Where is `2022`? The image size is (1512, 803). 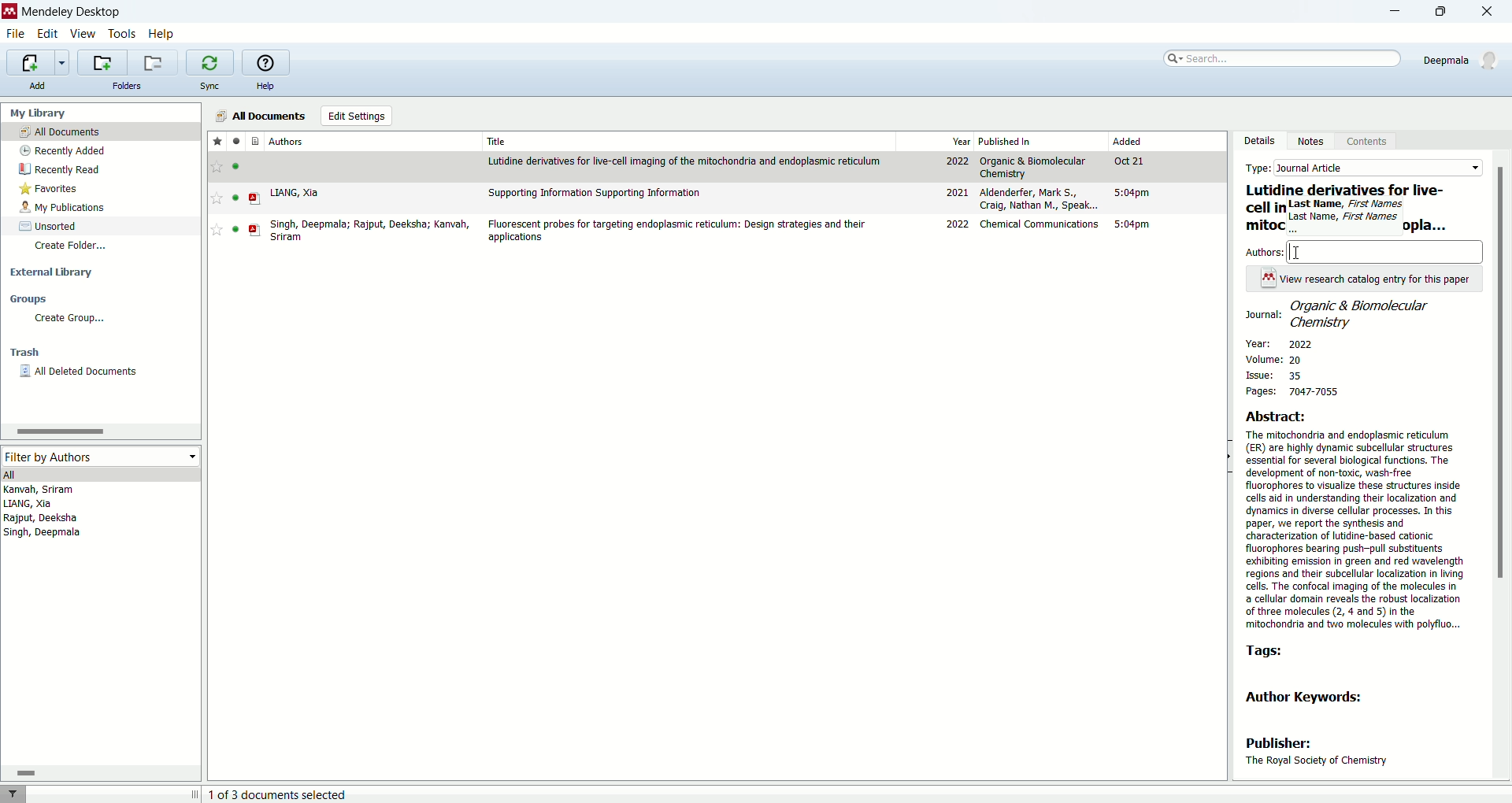
2022 is located at coordinates (956, 161).